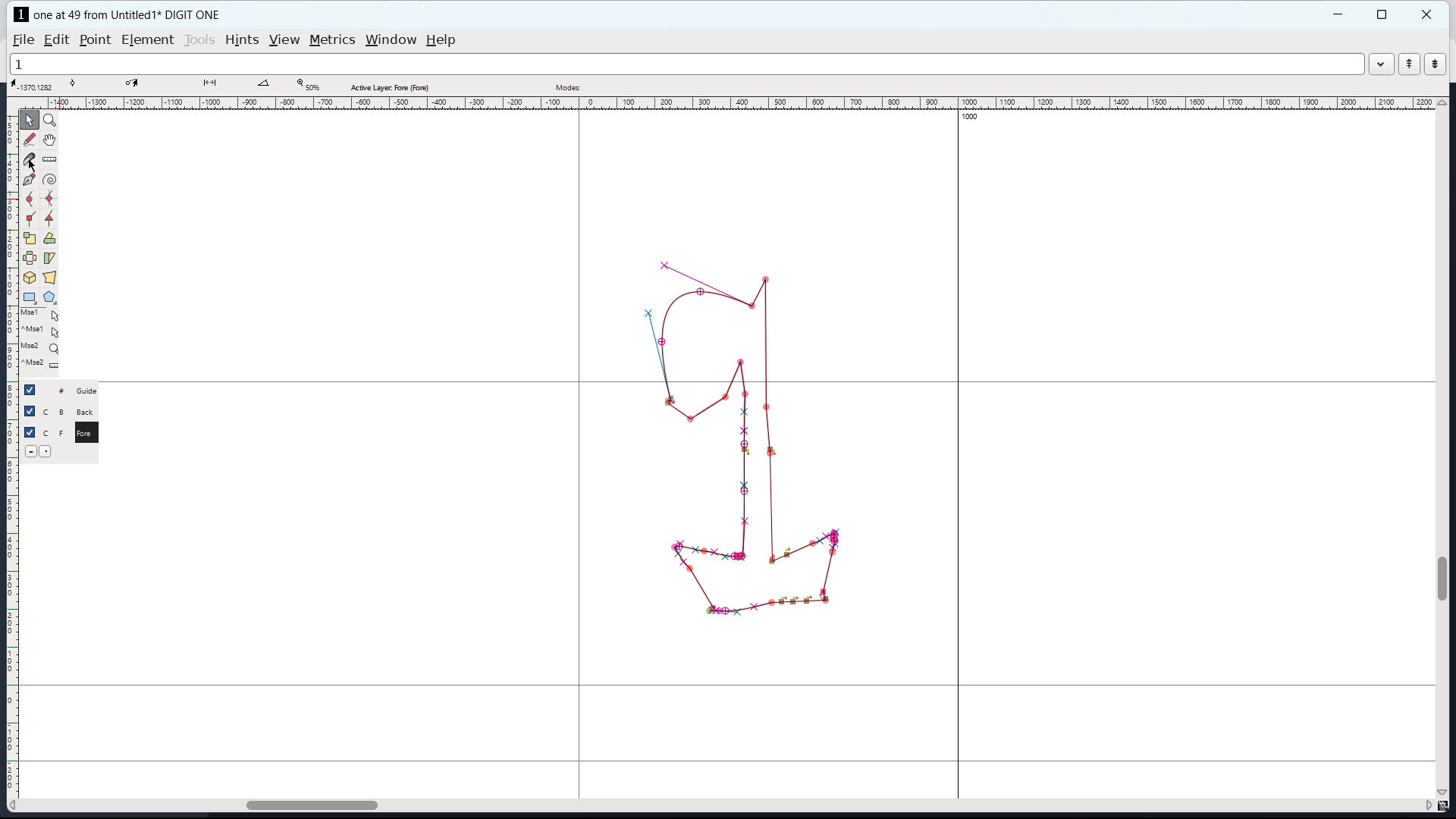 The width and height of the screenshot is (1456, 819). What do you see at coordinates (21, 14) in the screenshot?
I see `logo` at bounding box center [21, 14].